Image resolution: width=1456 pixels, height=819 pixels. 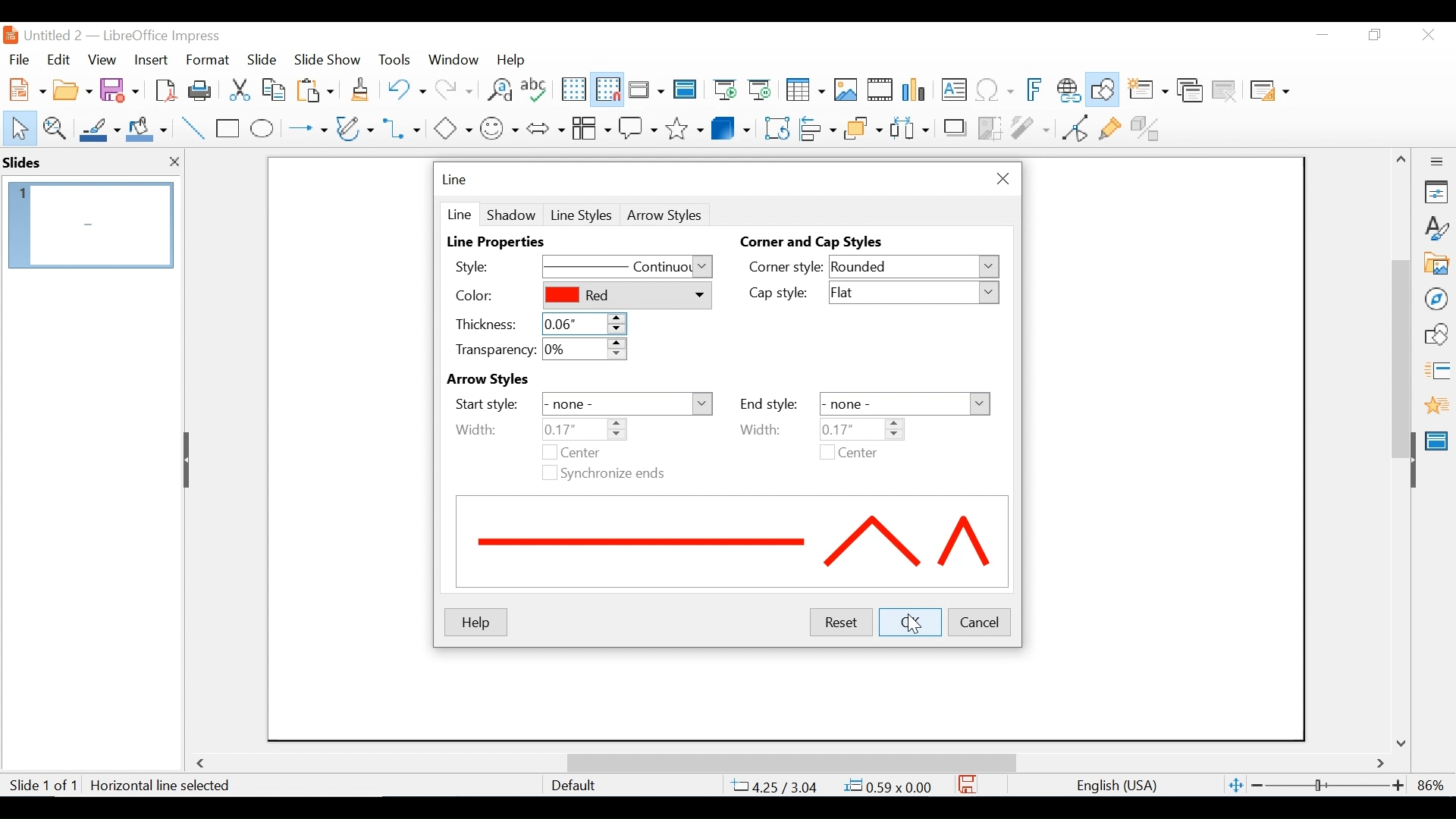 I want to click on checkbox, so click(x=548, y=453).